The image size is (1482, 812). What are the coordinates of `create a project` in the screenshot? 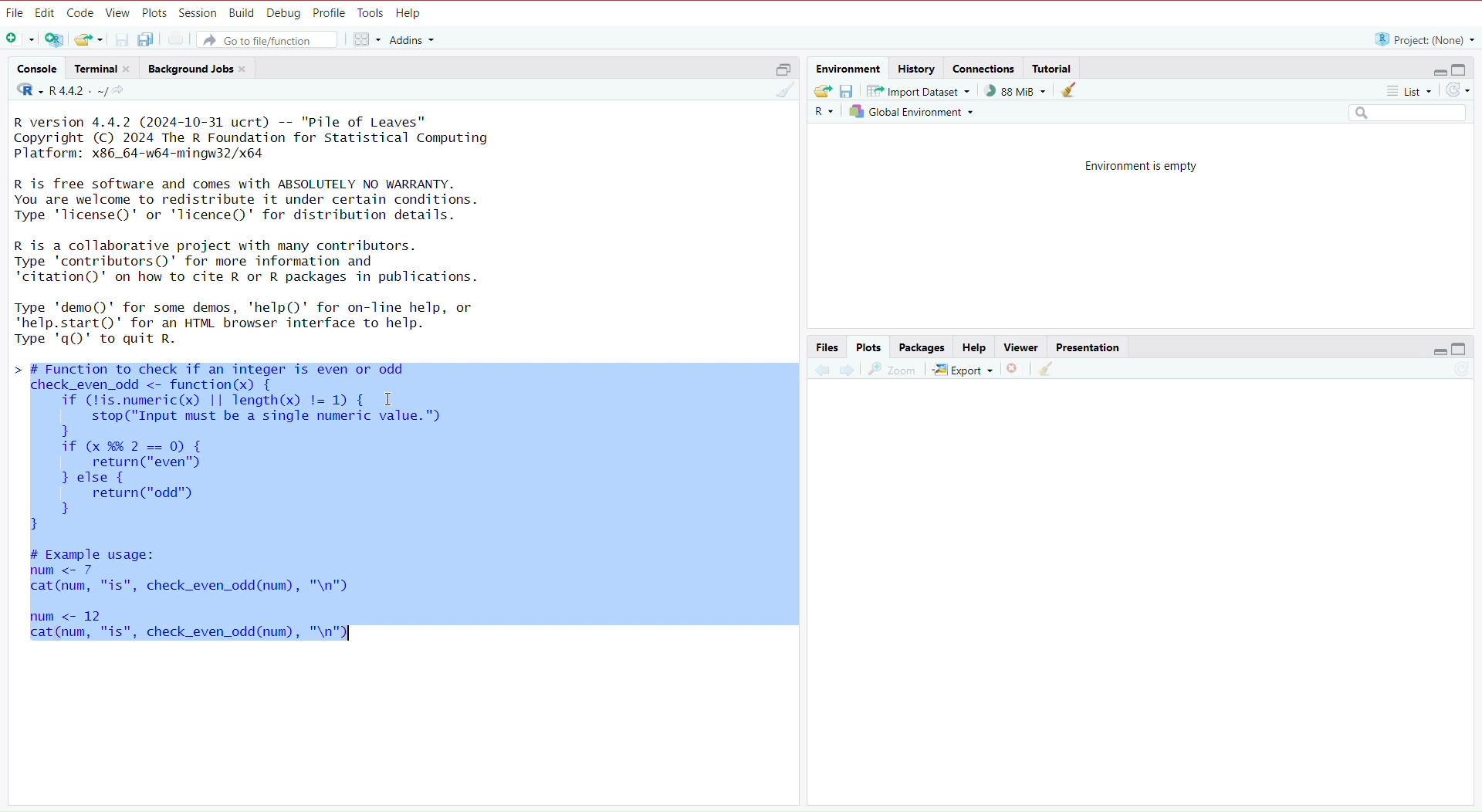 It's located at (55, 41).